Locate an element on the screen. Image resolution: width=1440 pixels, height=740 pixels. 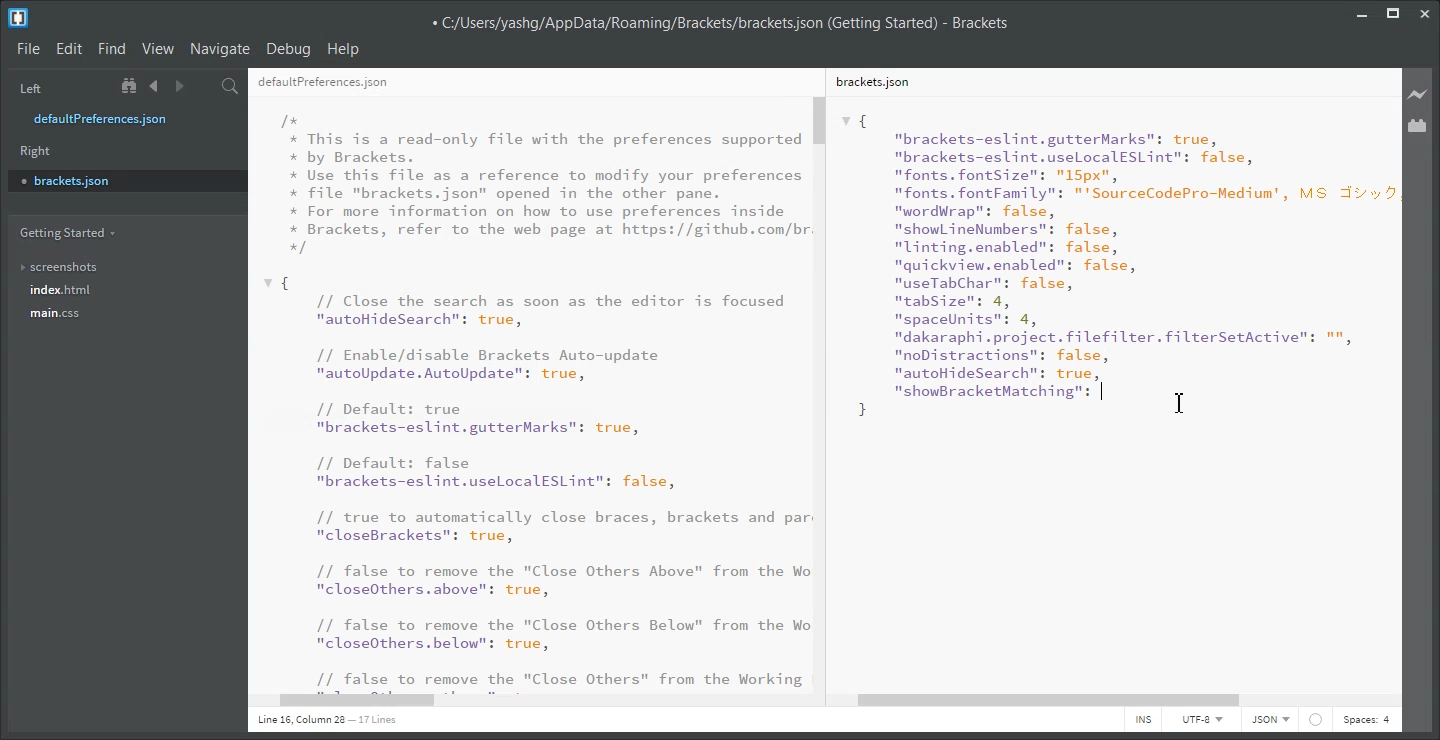
Minimize is located at coordinates (1362, 11).